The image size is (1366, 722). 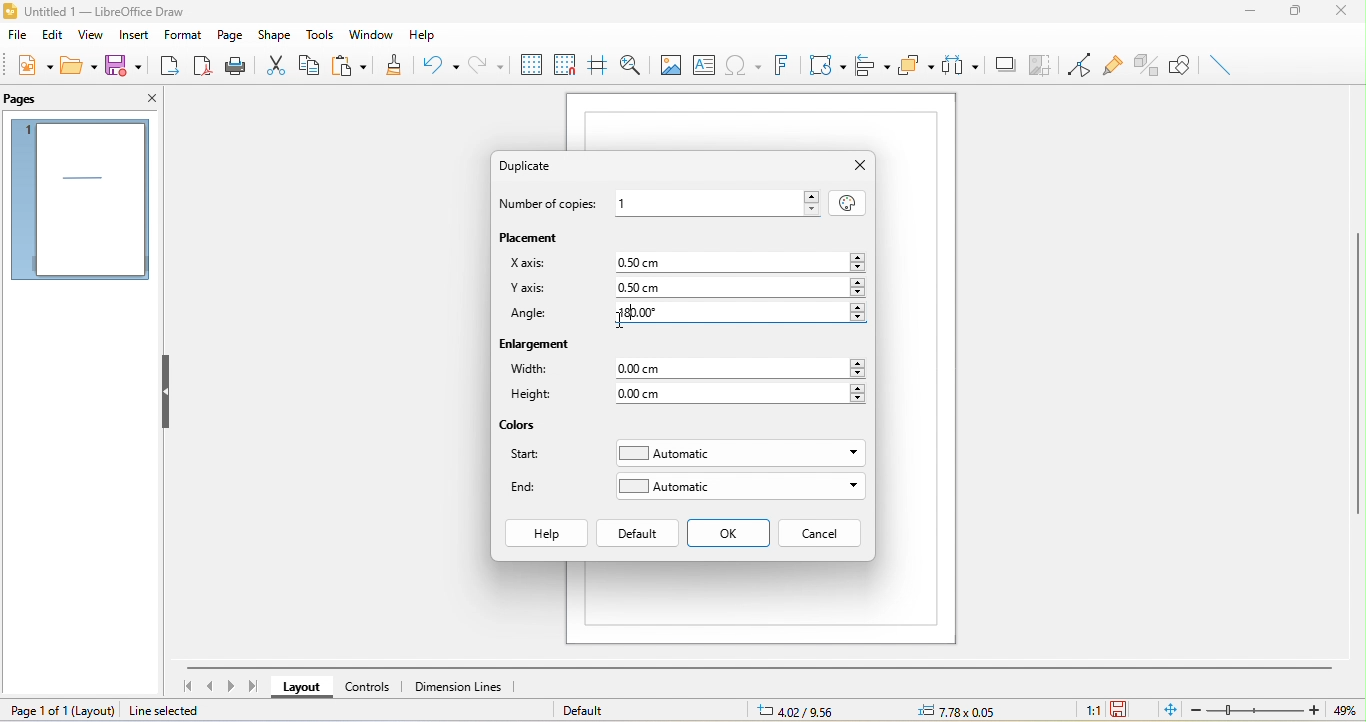 What do you see at coordinates (622, 319) in the screenshot?
I see `cursor movement` at bounding box center [622, 319].